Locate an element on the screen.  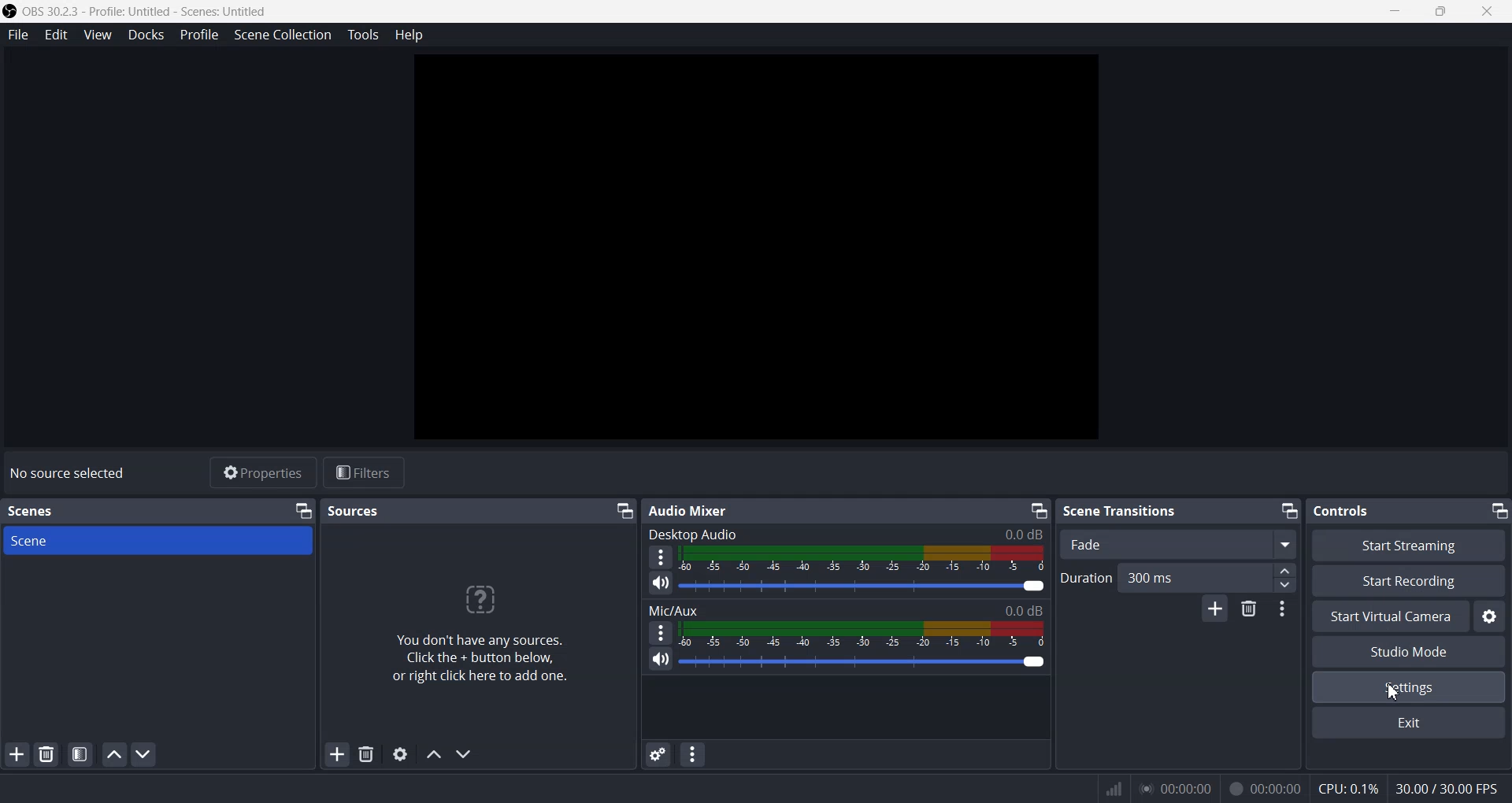
Remove Selected Sources is located at coordinates (369, 753).